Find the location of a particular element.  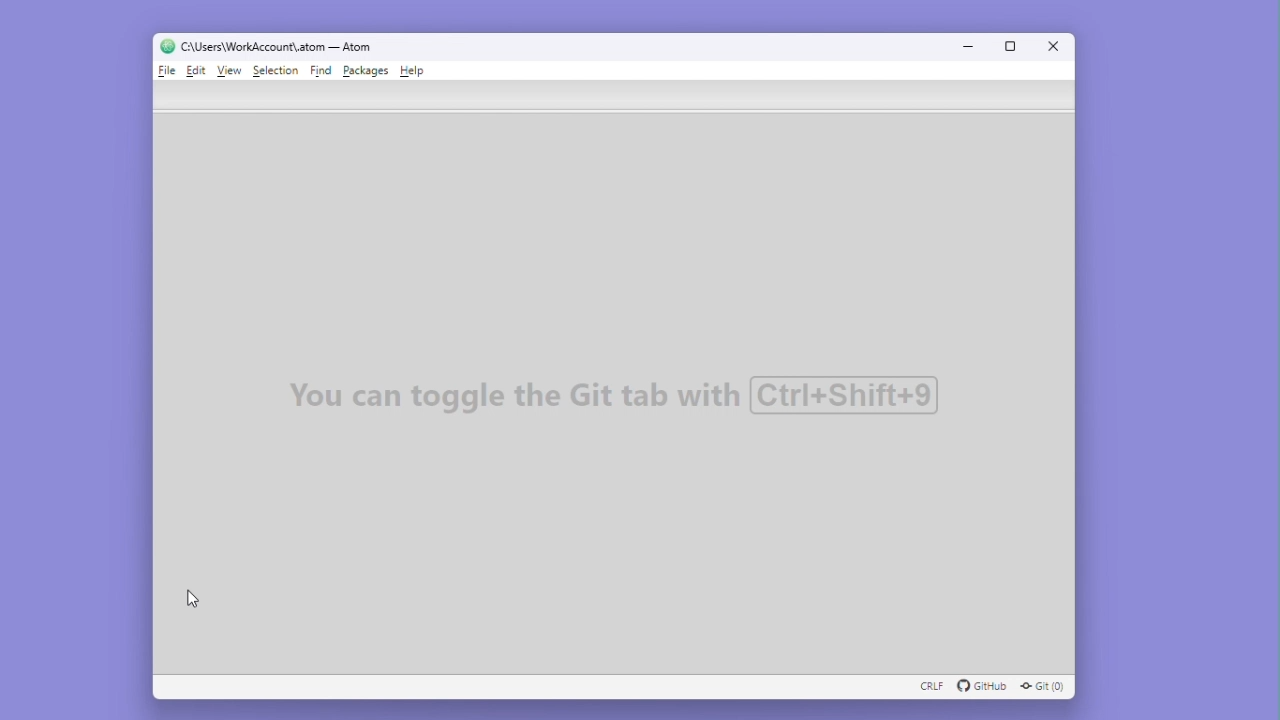

View is located at coordinates (232, 72).